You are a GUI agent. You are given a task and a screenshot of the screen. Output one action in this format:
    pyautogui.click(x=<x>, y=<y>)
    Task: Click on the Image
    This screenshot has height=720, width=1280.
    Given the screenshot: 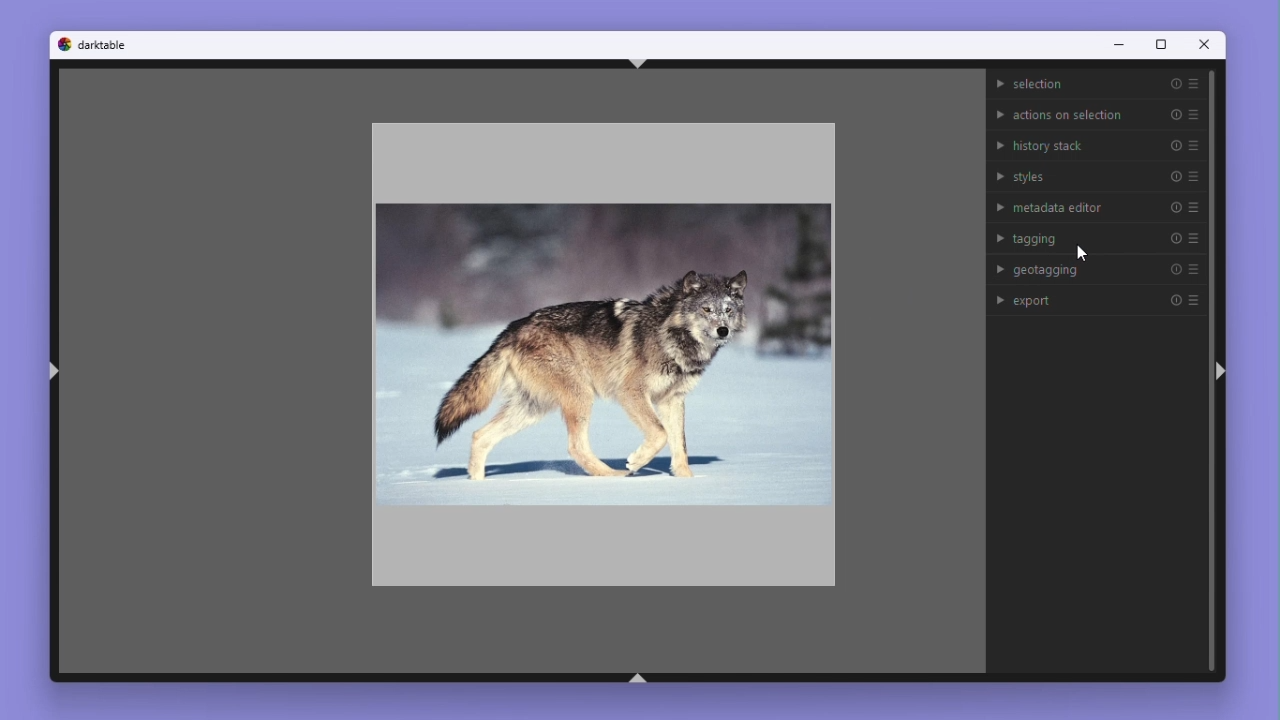 What is the action you would take?
    pyautogui.click(x=599, y=348)
    